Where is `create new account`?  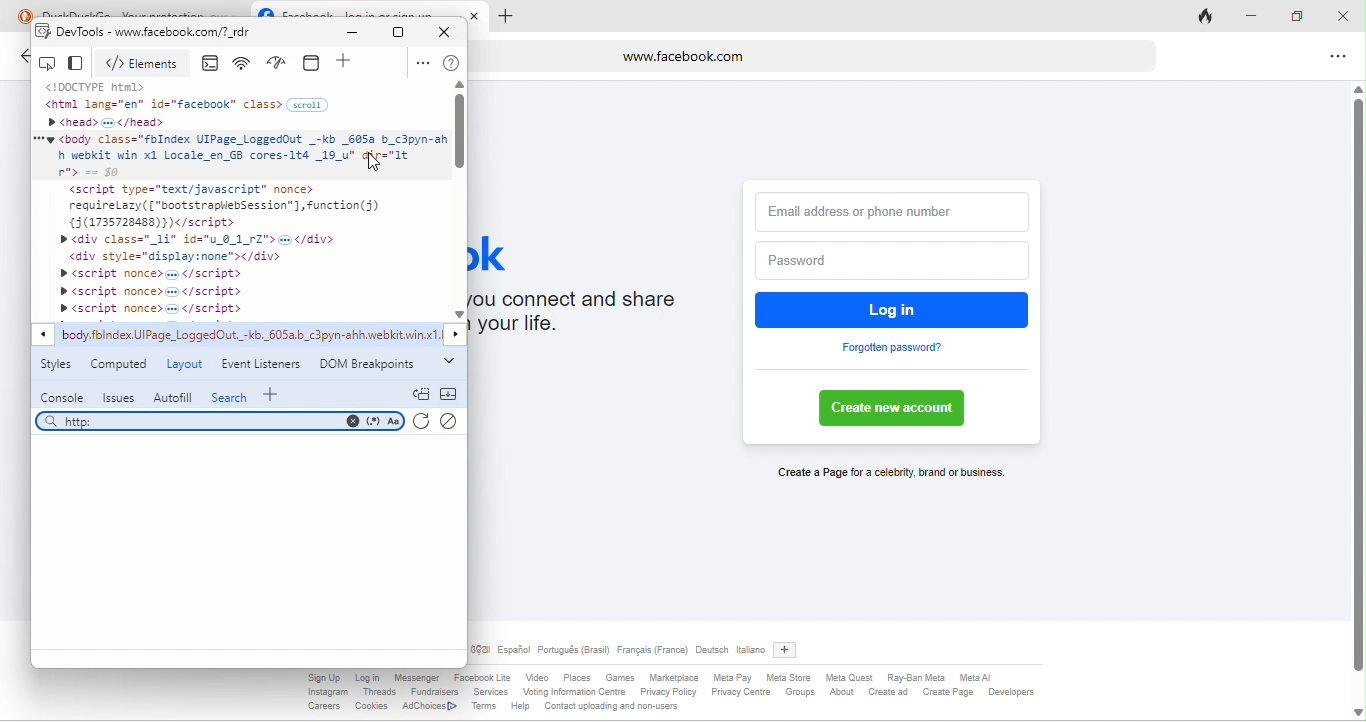 create new account is located at coordinates (898, 409).